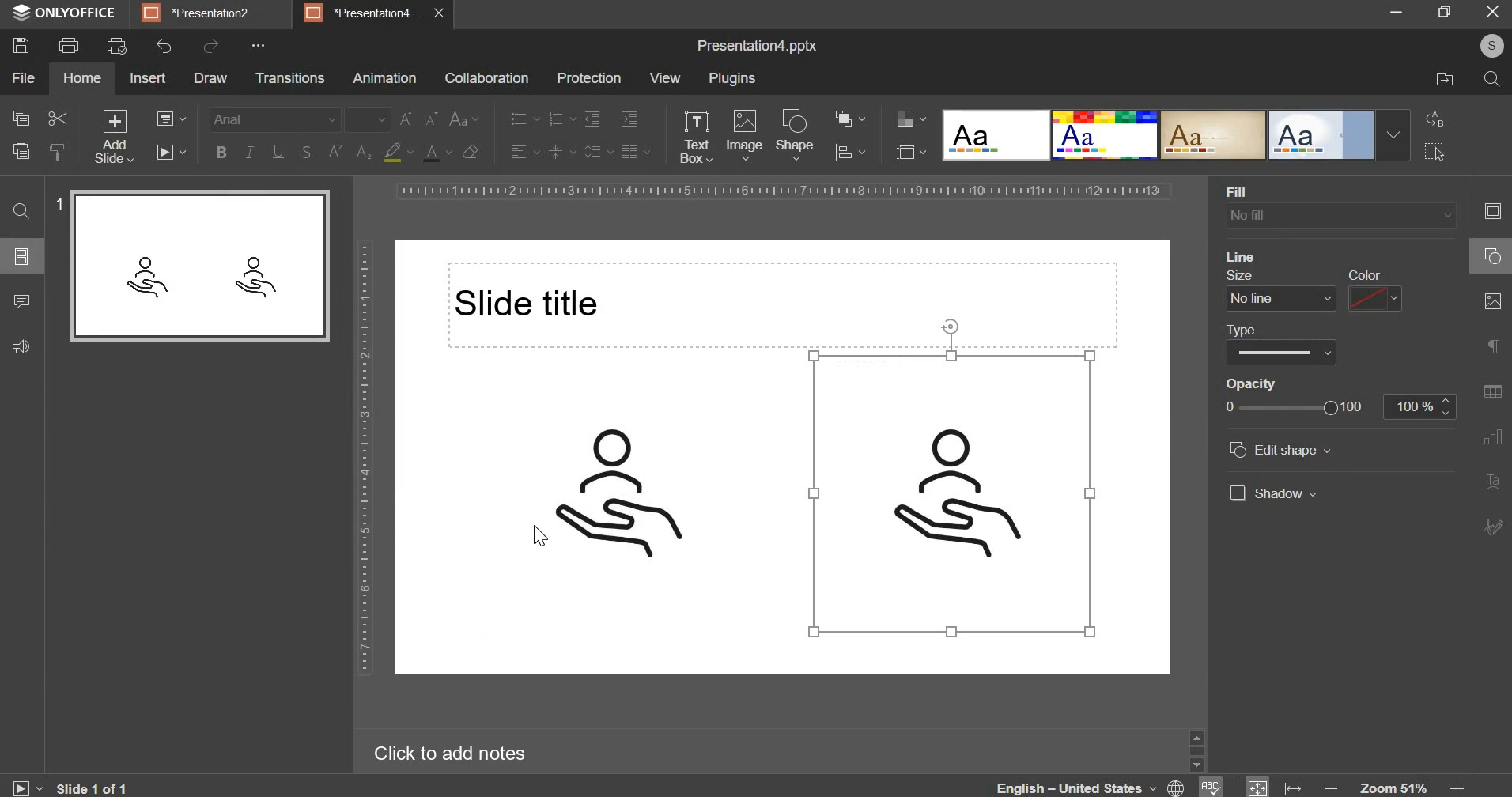  I want to click on shape setting, so click(1494, 258).